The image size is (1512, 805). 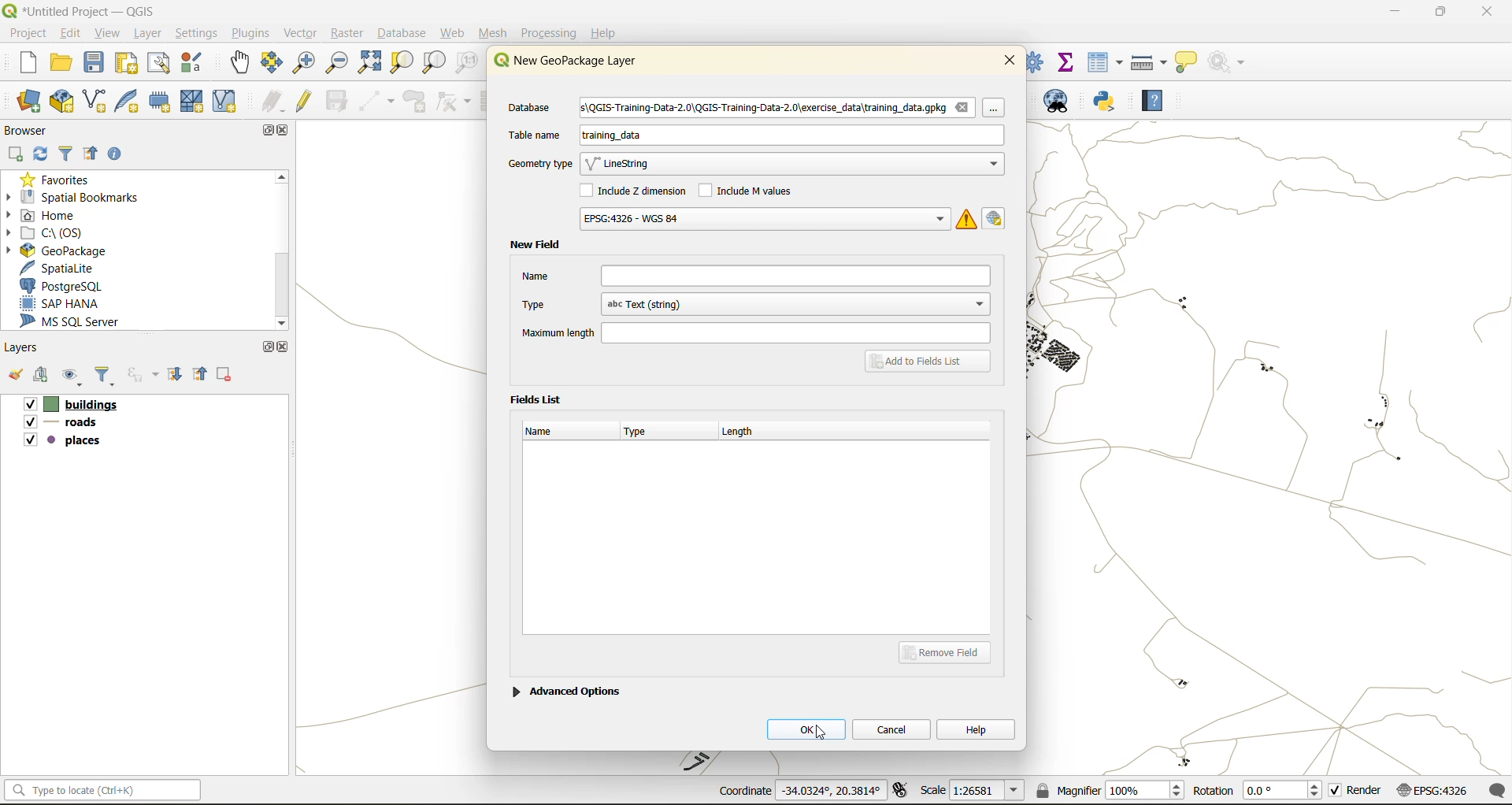 I want to click on Processing, so click(x=551, y=31).